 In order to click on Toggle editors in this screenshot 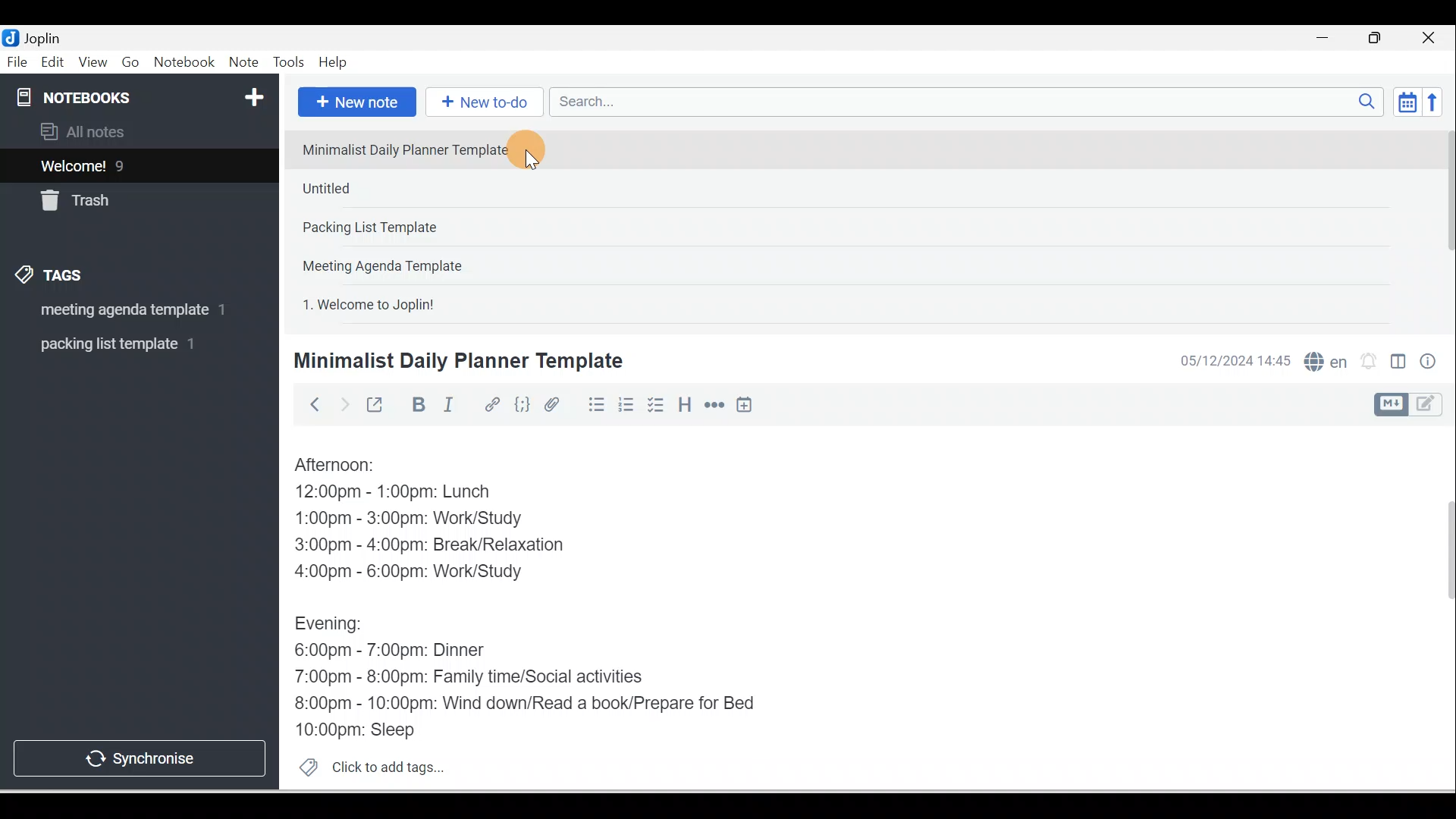, I will do `click(1398, 364)`.